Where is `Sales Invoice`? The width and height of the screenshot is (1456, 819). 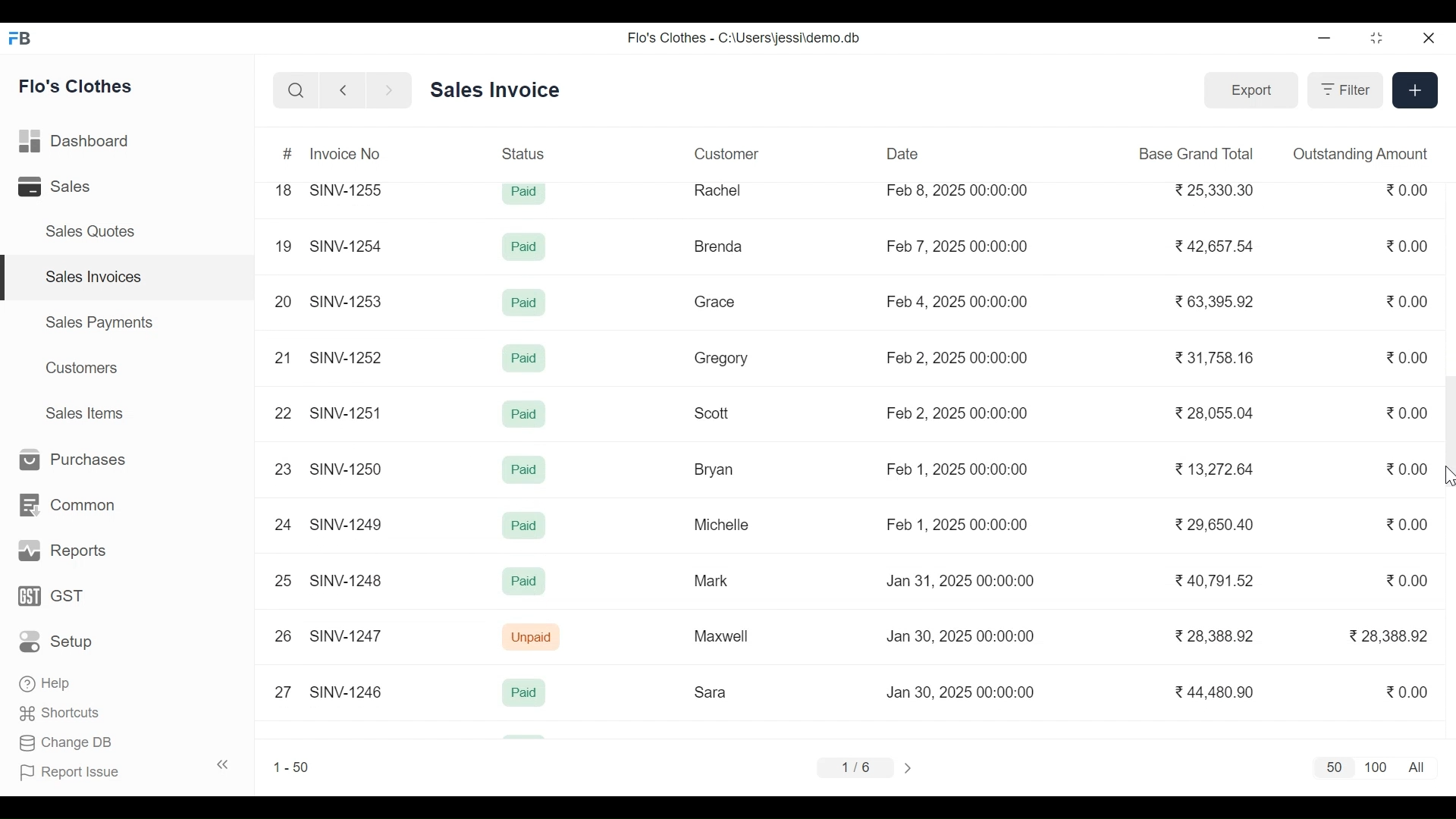 Sales Invoice is located at coordinates (494, 91).